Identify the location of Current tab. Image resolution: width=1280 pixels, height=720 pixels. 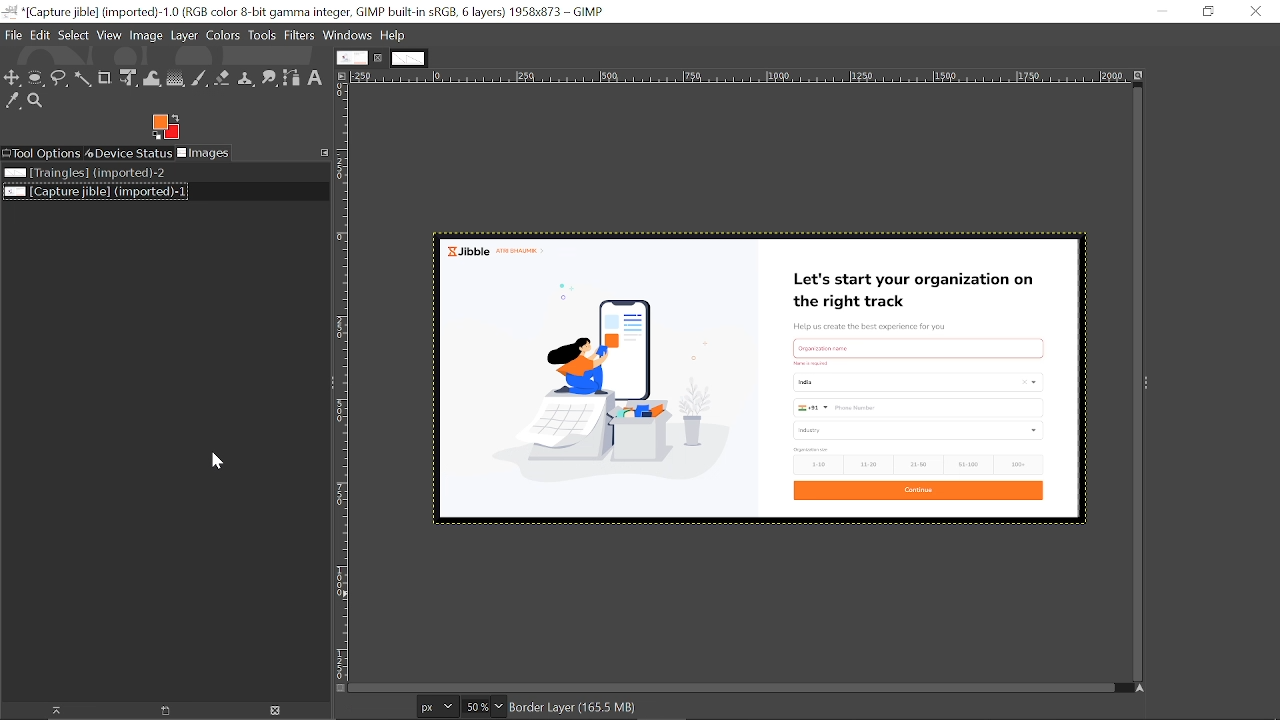
(351, 58).